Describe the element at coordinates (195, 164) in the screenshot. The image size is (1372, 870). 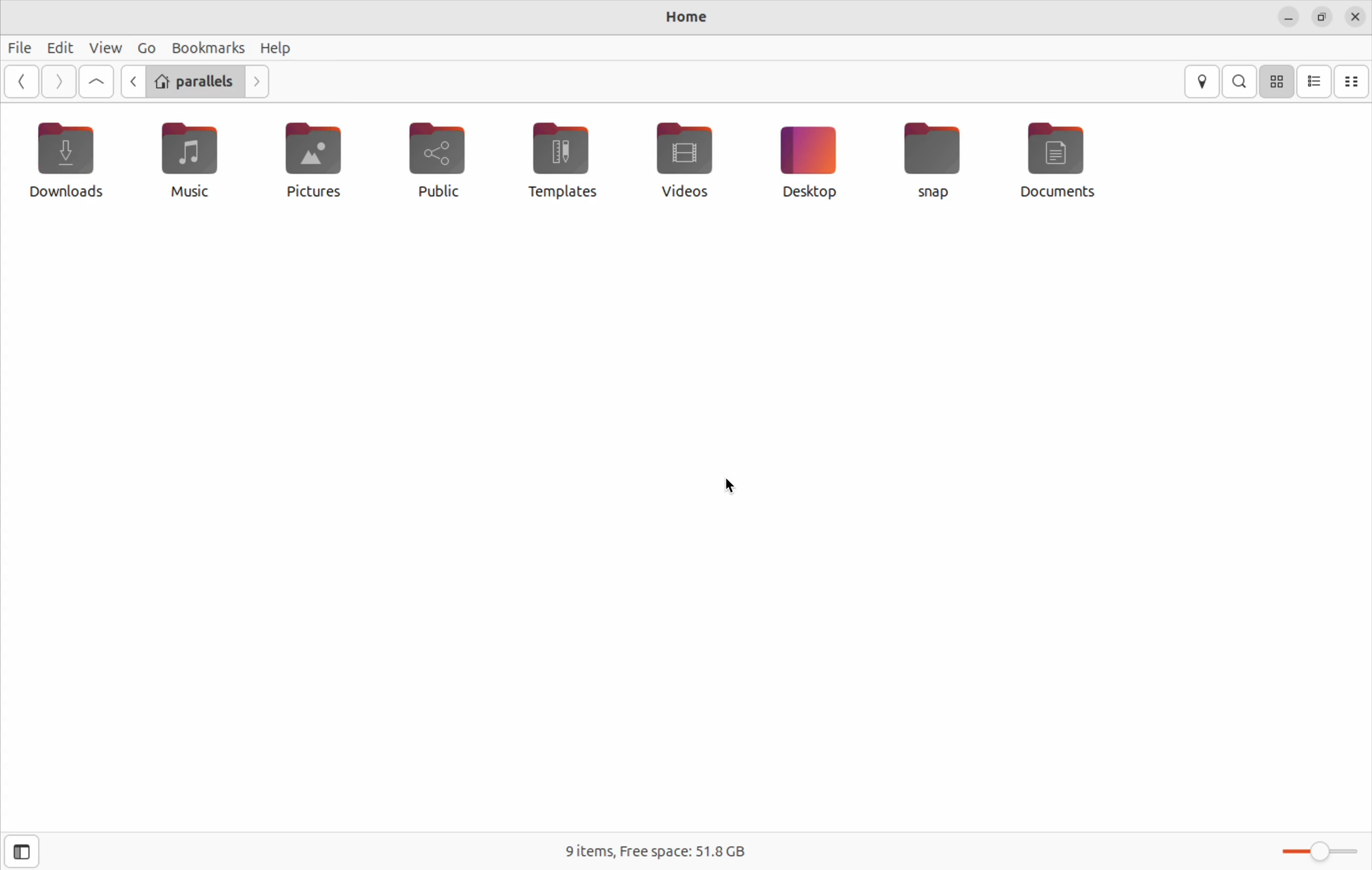
I see `music file` at that location.